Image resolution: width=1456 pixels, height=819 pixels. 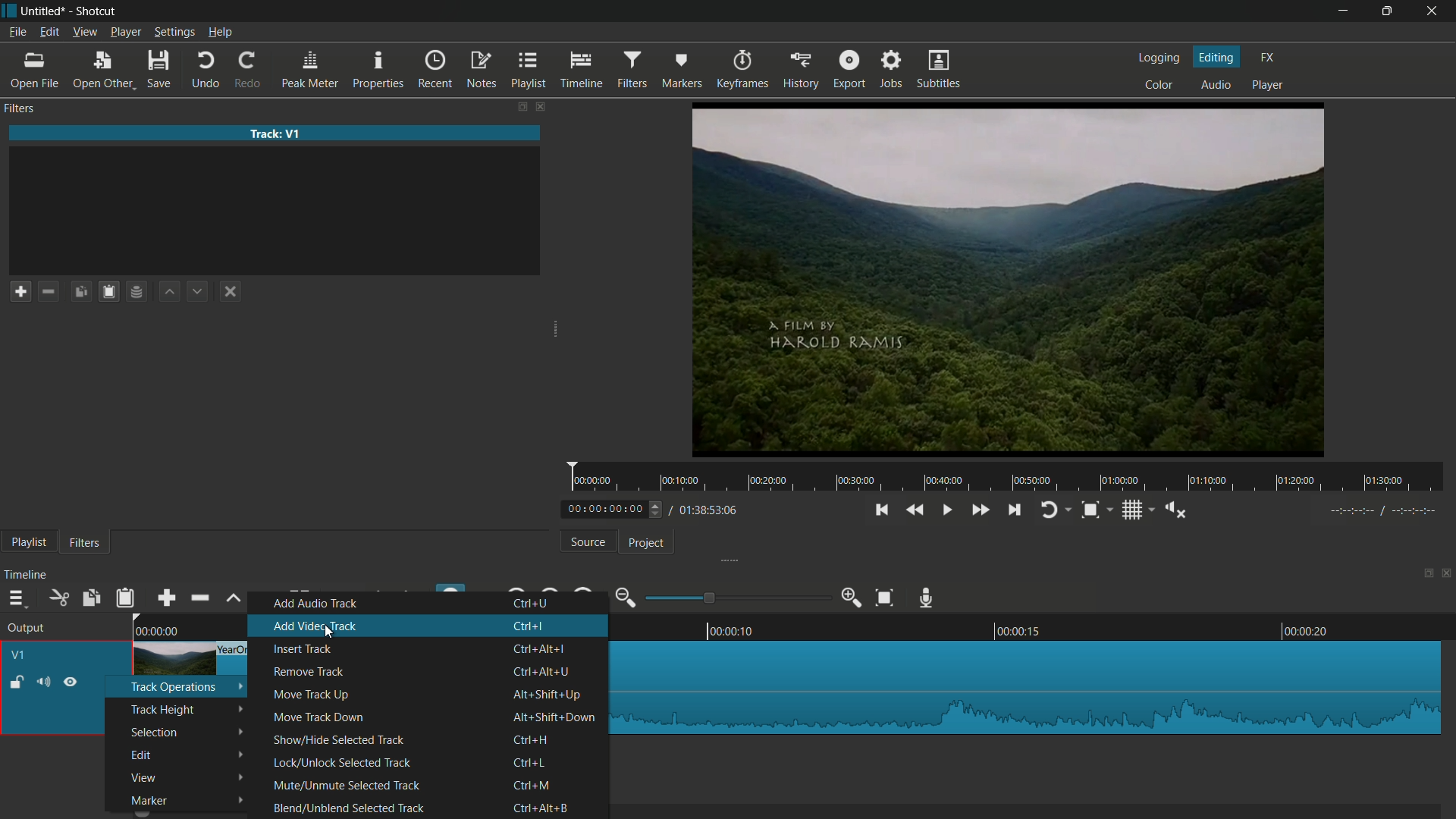 What do you see at coordinates (1447, 576) in the screenshot?
I see `close timeline` at bounding box center [1447, 576].